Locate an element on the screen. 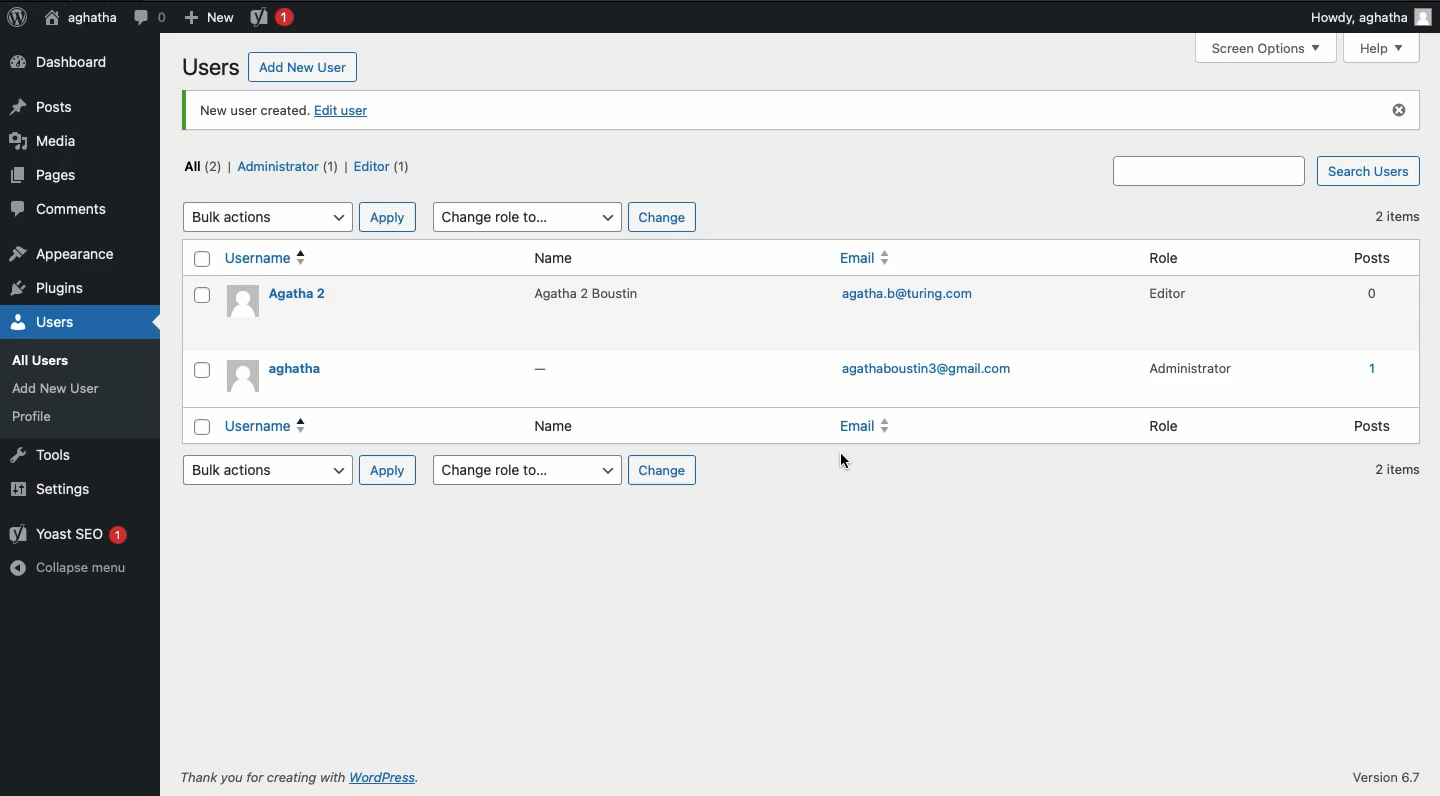 This screenshot has width=1440, height=796. Change role to is located at coordinates (524, 215).